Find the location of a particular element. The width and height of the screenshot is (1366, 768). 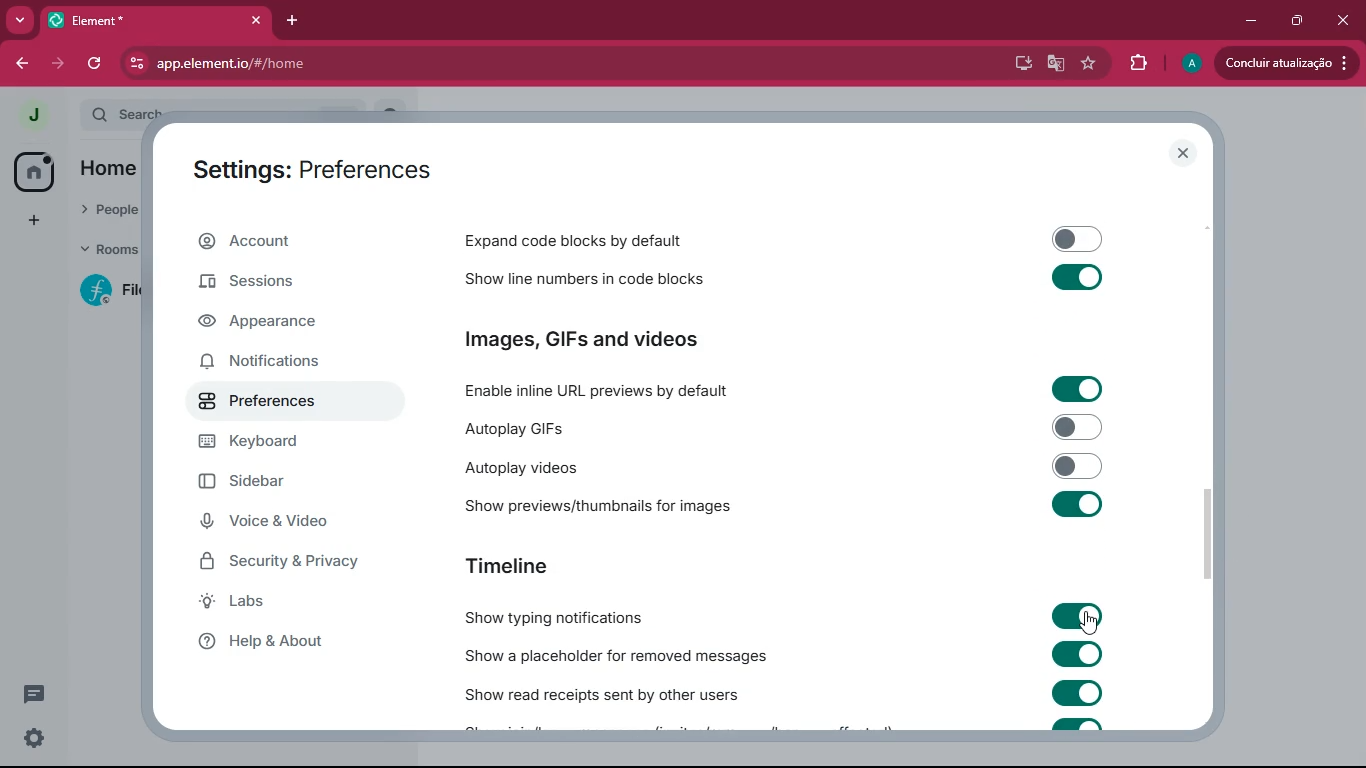

voice & video is located at coordinates (281, 522).